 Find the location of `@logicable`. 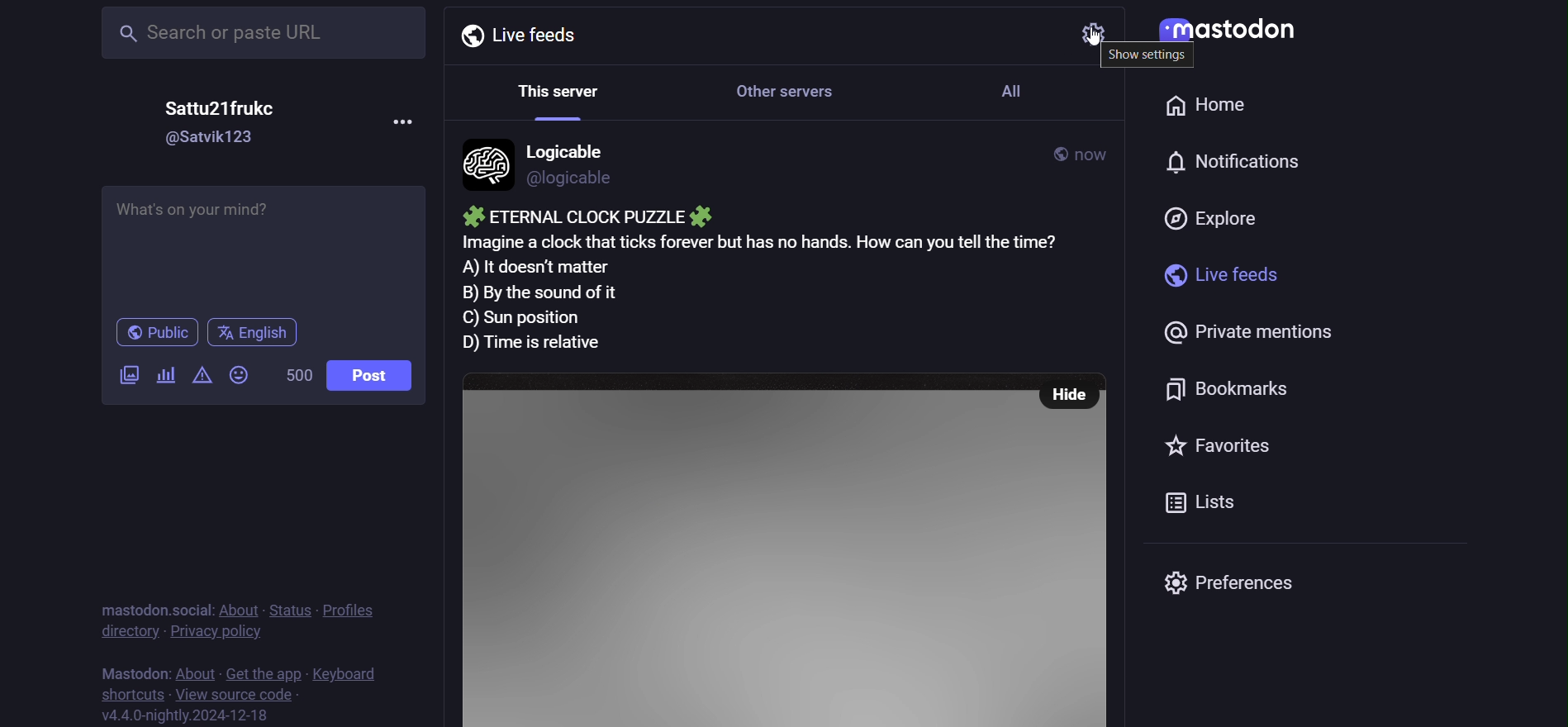

@logicable is located at coordinates (573, 178).